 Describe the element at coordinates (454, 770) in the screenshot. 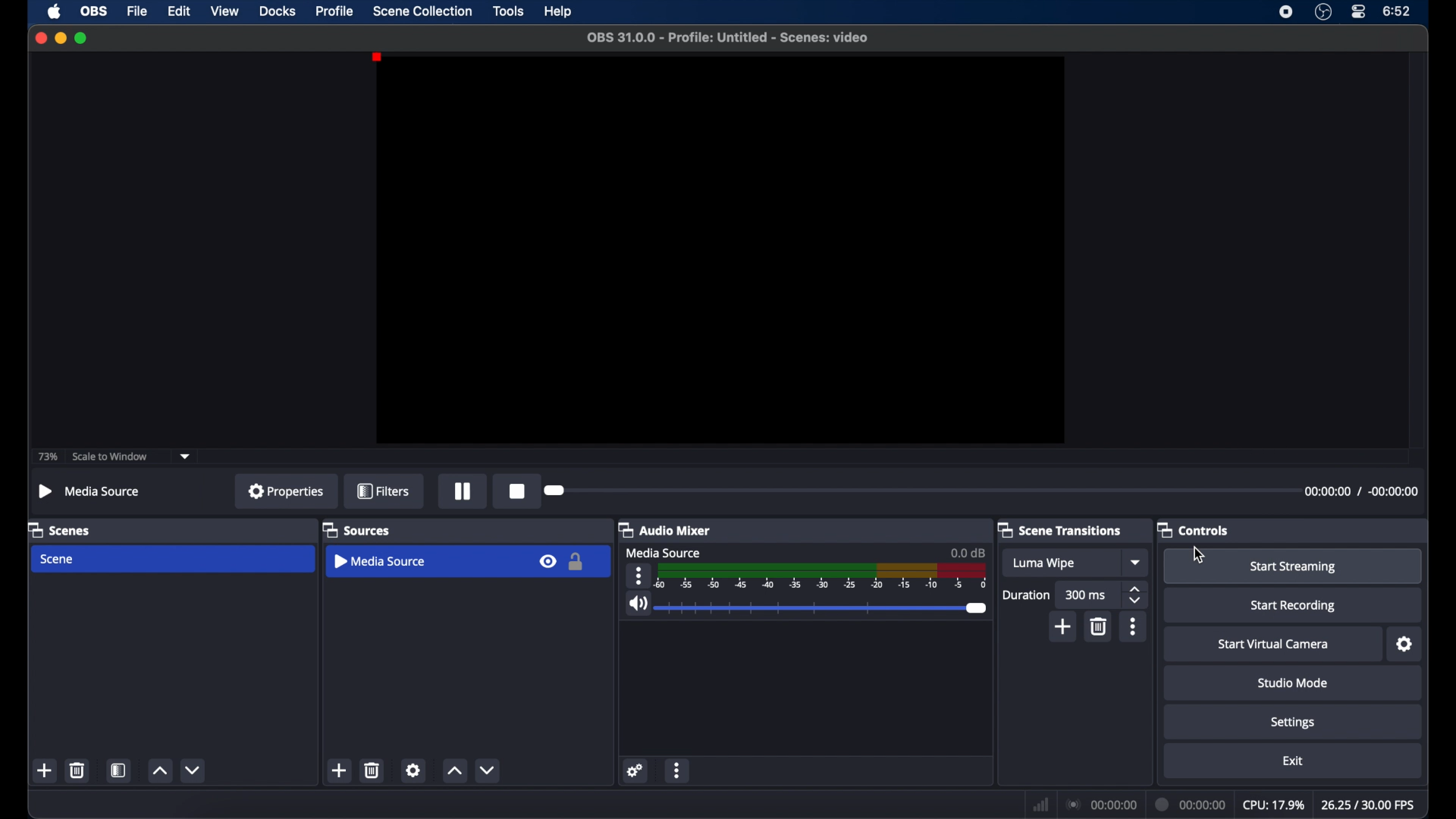

I see `increment` at that location.